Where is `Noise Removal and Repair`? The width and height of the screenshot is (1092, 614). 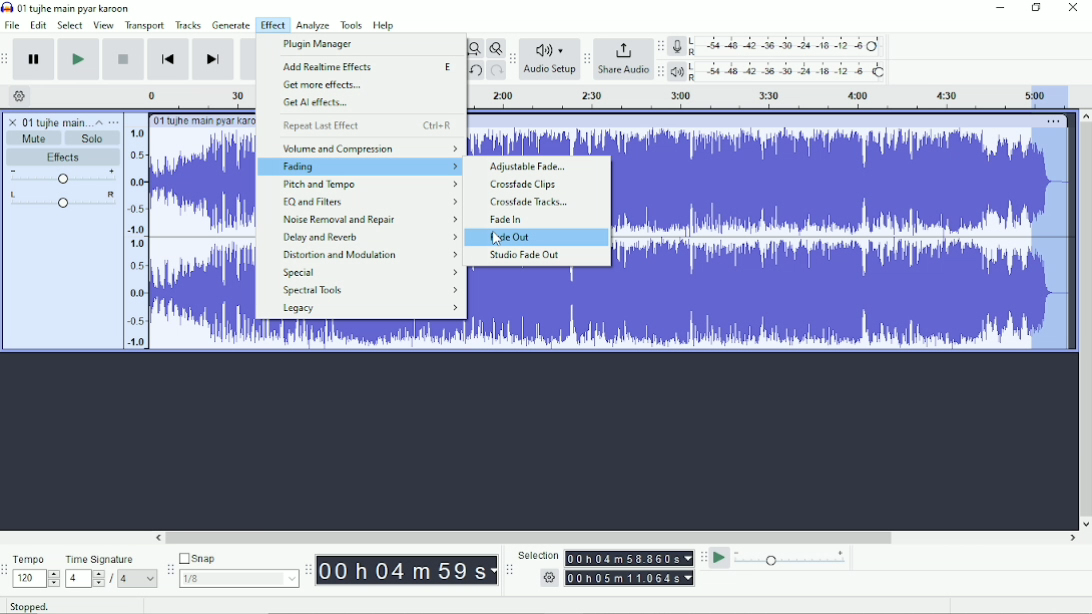
Noise Removal and Repair is located at coordinates (368, 219).